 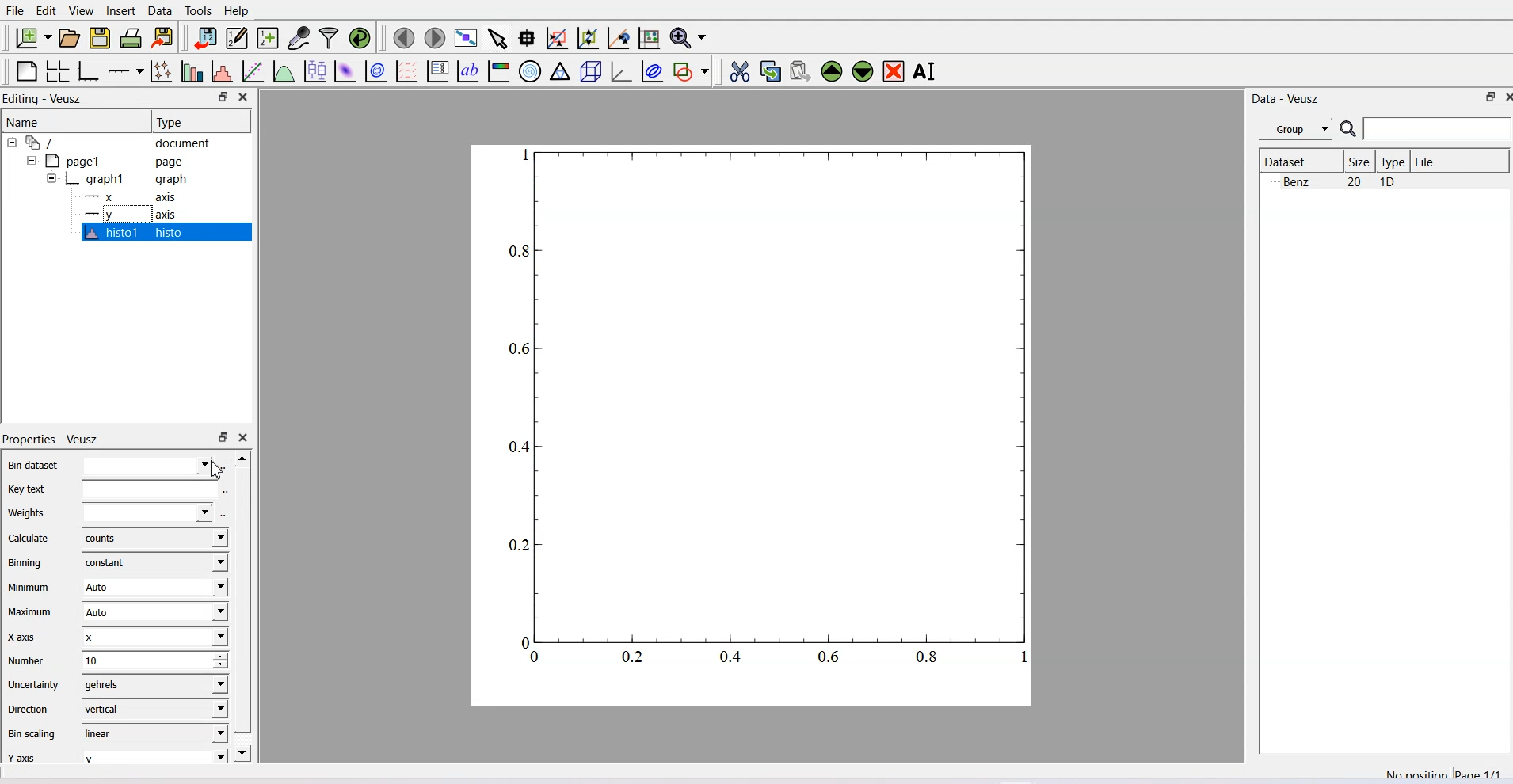 I want to click on Size, so click(x=1360, y=161).